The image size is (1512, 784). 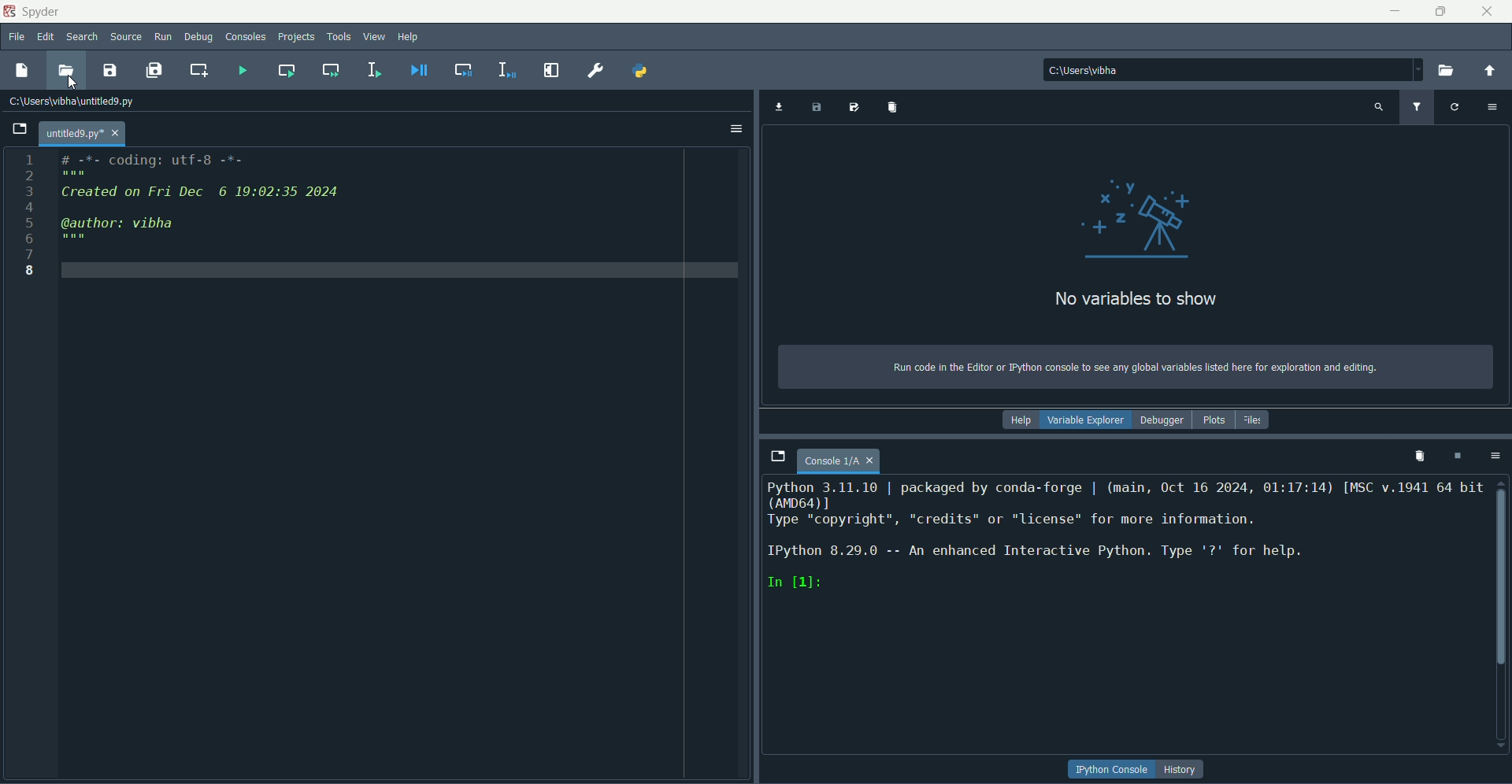 What do you see at coordinates (1495, 72) in the screenshot?
I see `change to parent directory` at bounding box center [1495, 72].